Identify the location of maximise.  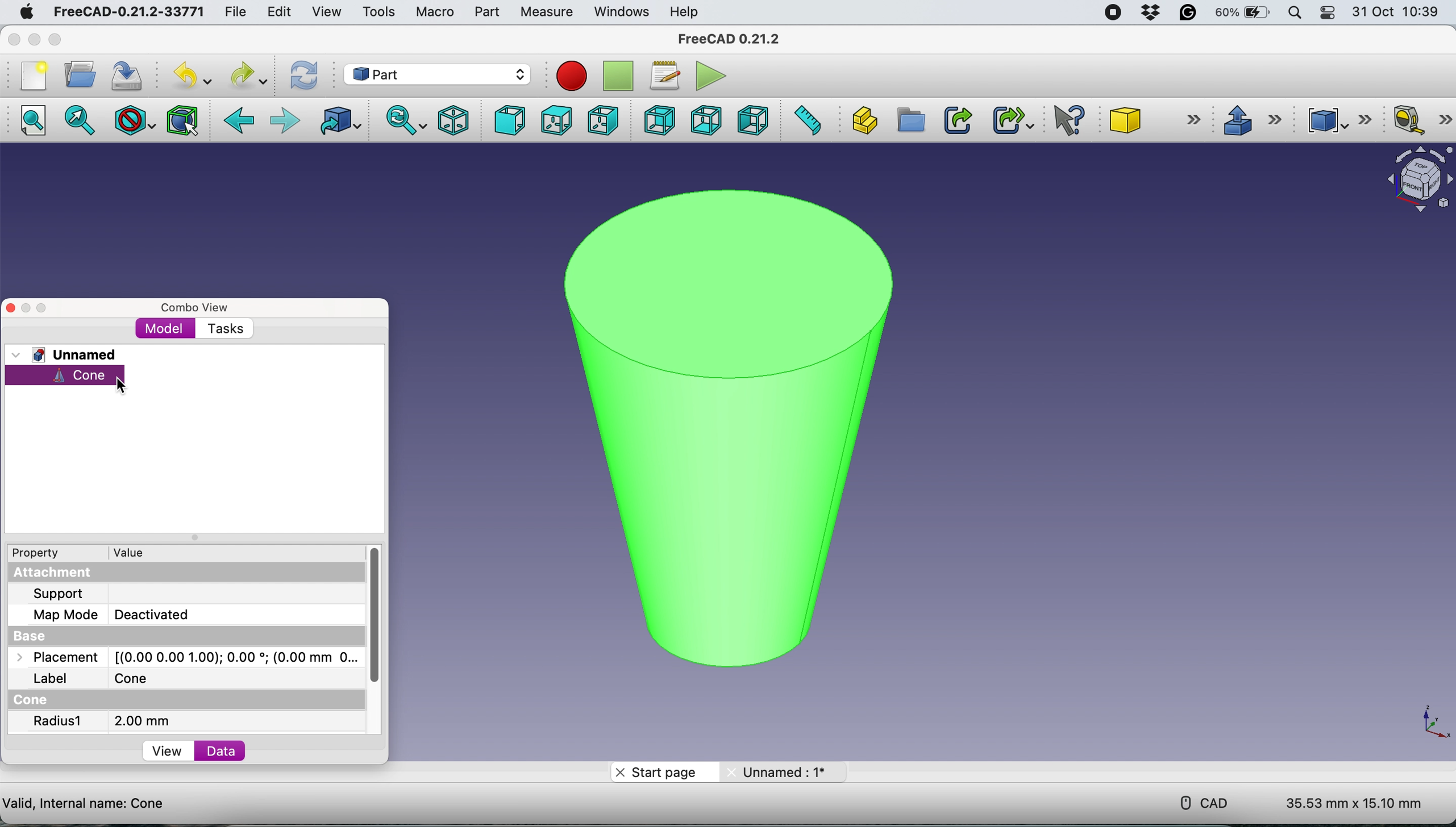
(43, 308).